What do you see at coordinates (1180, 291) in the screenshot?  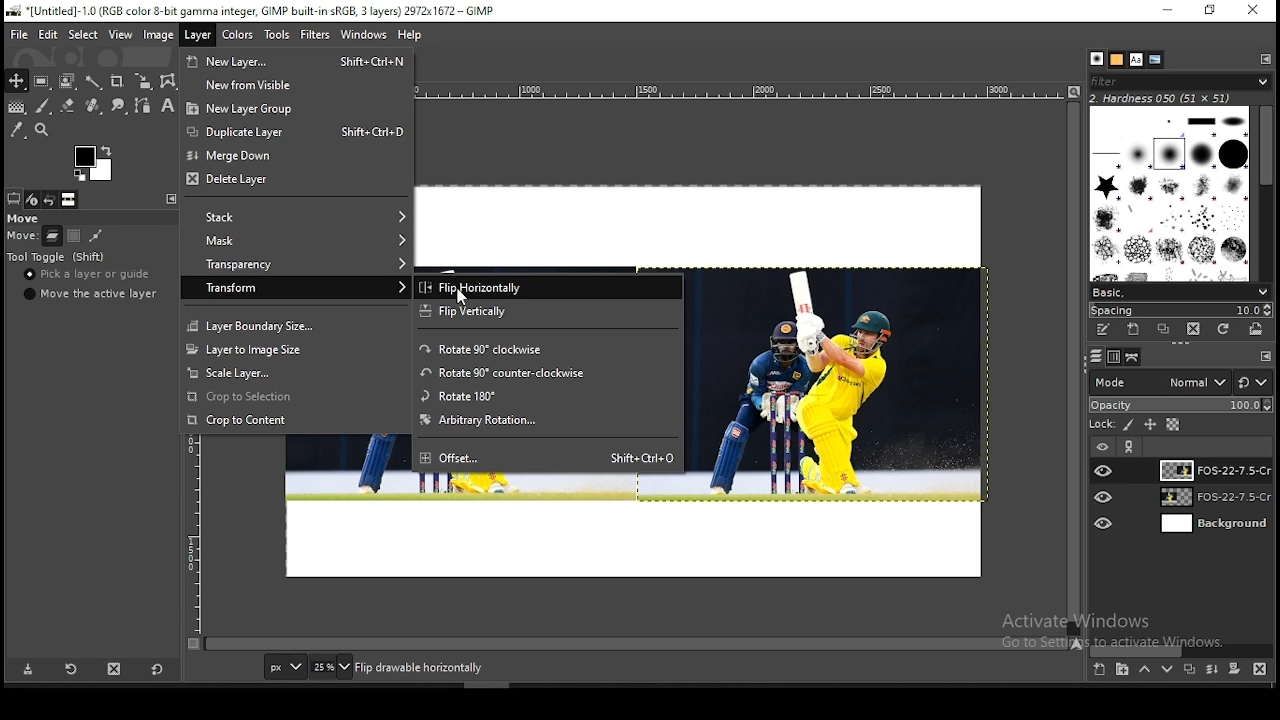 I see `brush presets` at bounding box center [1180, 291].